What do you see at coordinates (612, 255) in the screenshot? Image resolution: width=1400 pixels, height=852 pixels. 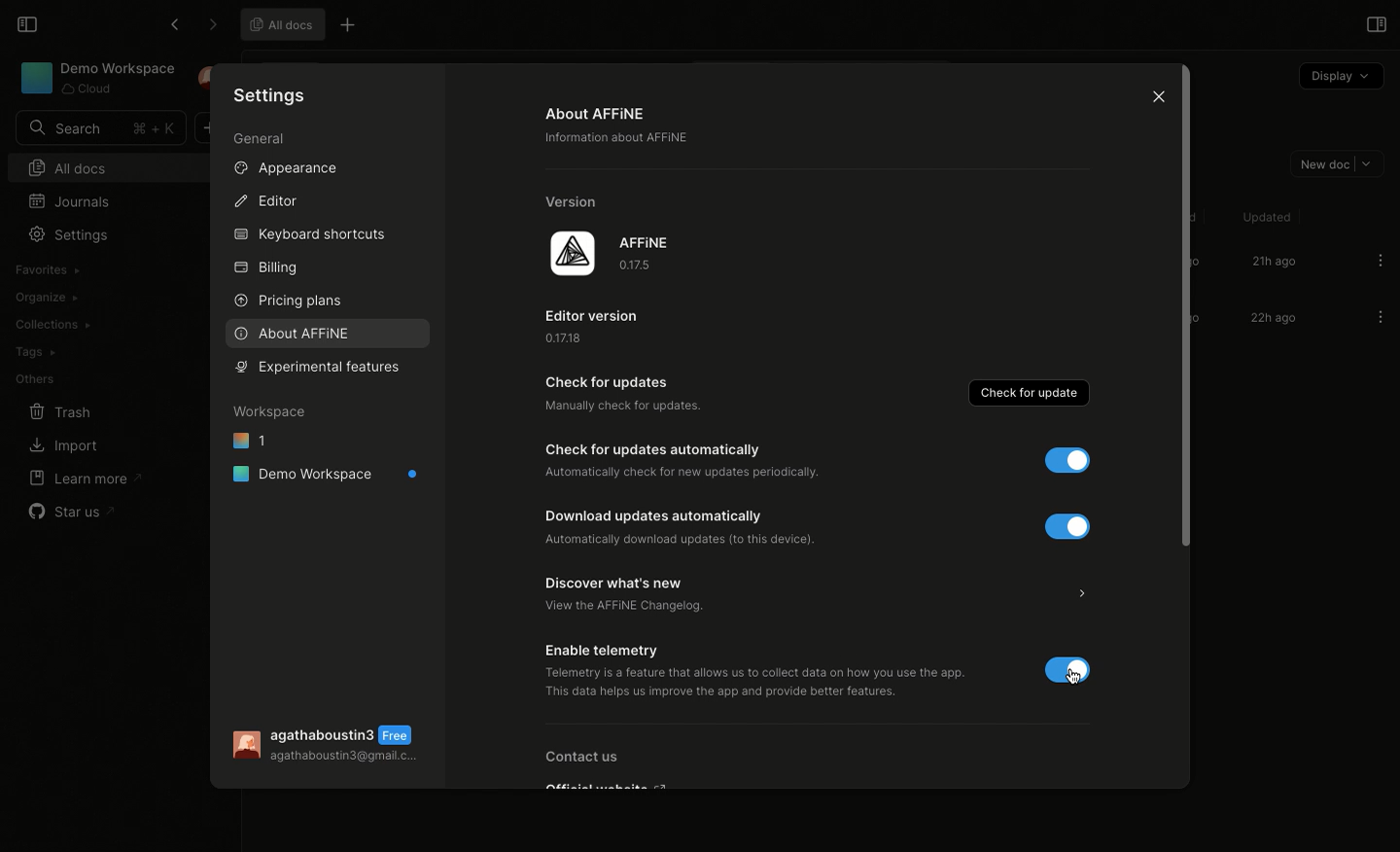 I see `AFFINE` at bounding box center [612, 255].